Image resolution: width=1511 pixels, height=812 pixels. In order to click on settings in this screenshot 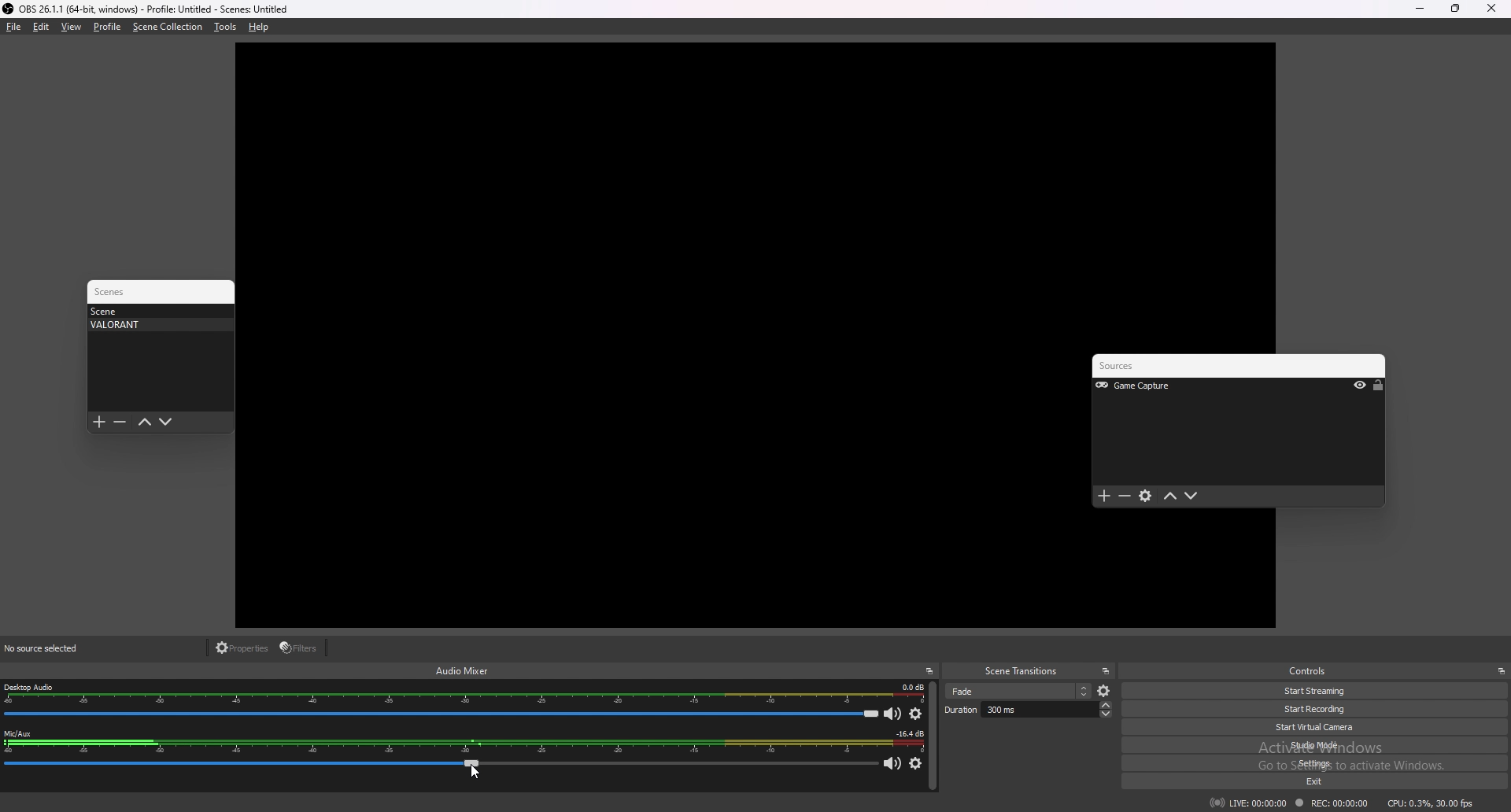, I will do `click(1324, 763)`.